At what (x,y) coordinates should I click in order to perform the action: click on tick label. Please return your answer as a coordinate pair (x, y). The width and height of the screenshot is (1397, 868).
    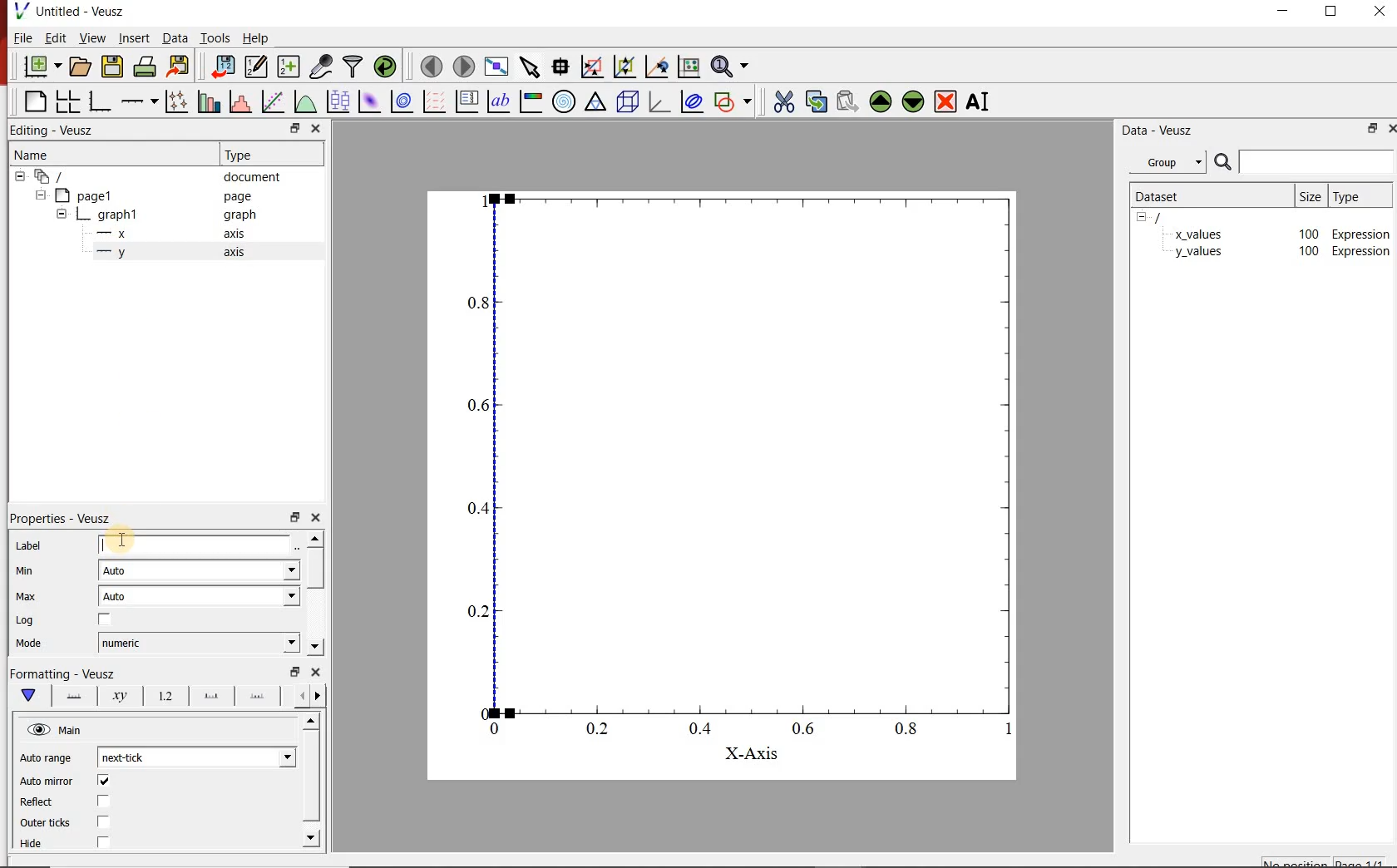
    Looking at the image, I should click on (167, 696).